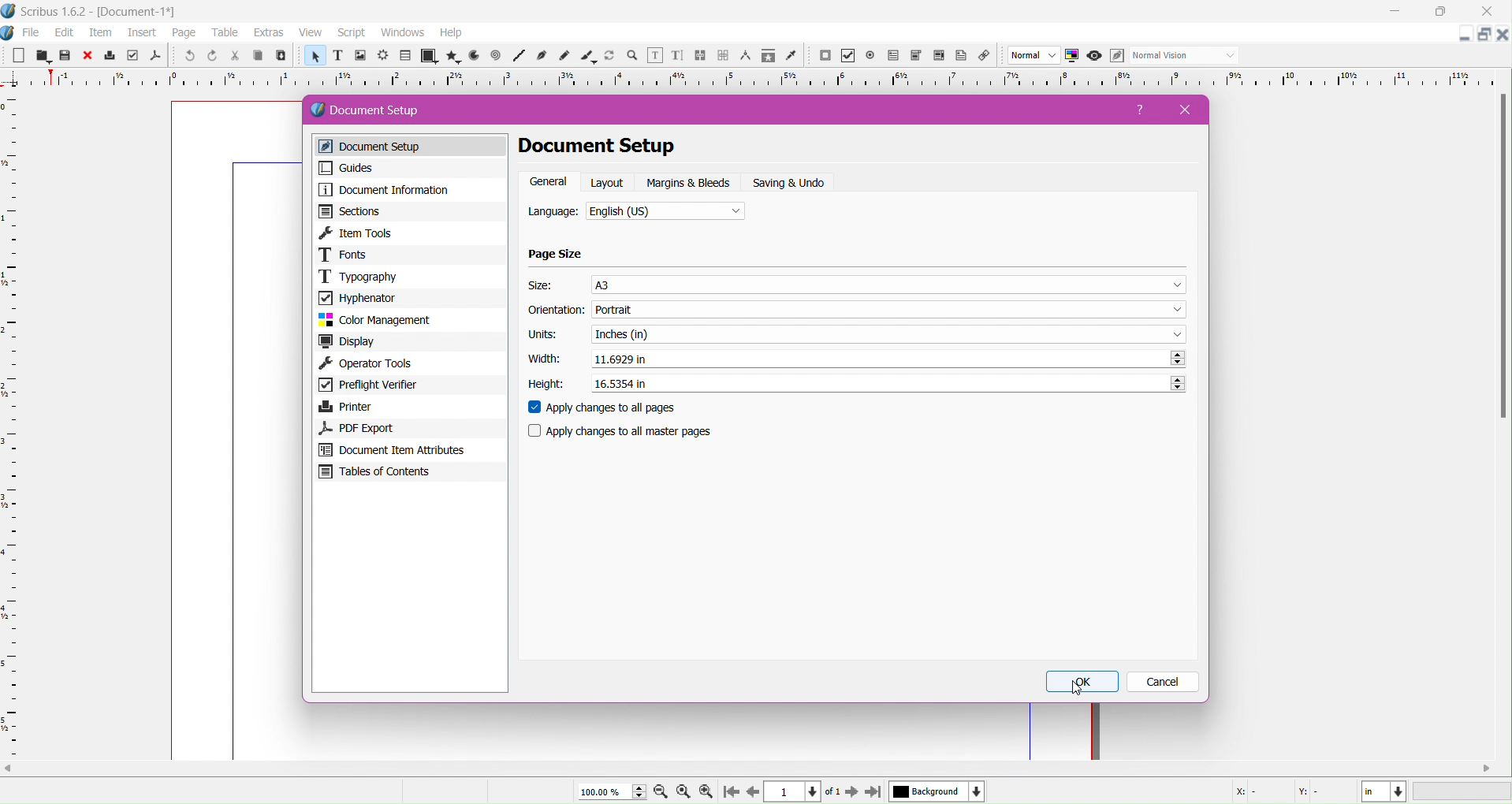 The image size is (1512, 804). I want to click on Scroll, so click(752, 767).